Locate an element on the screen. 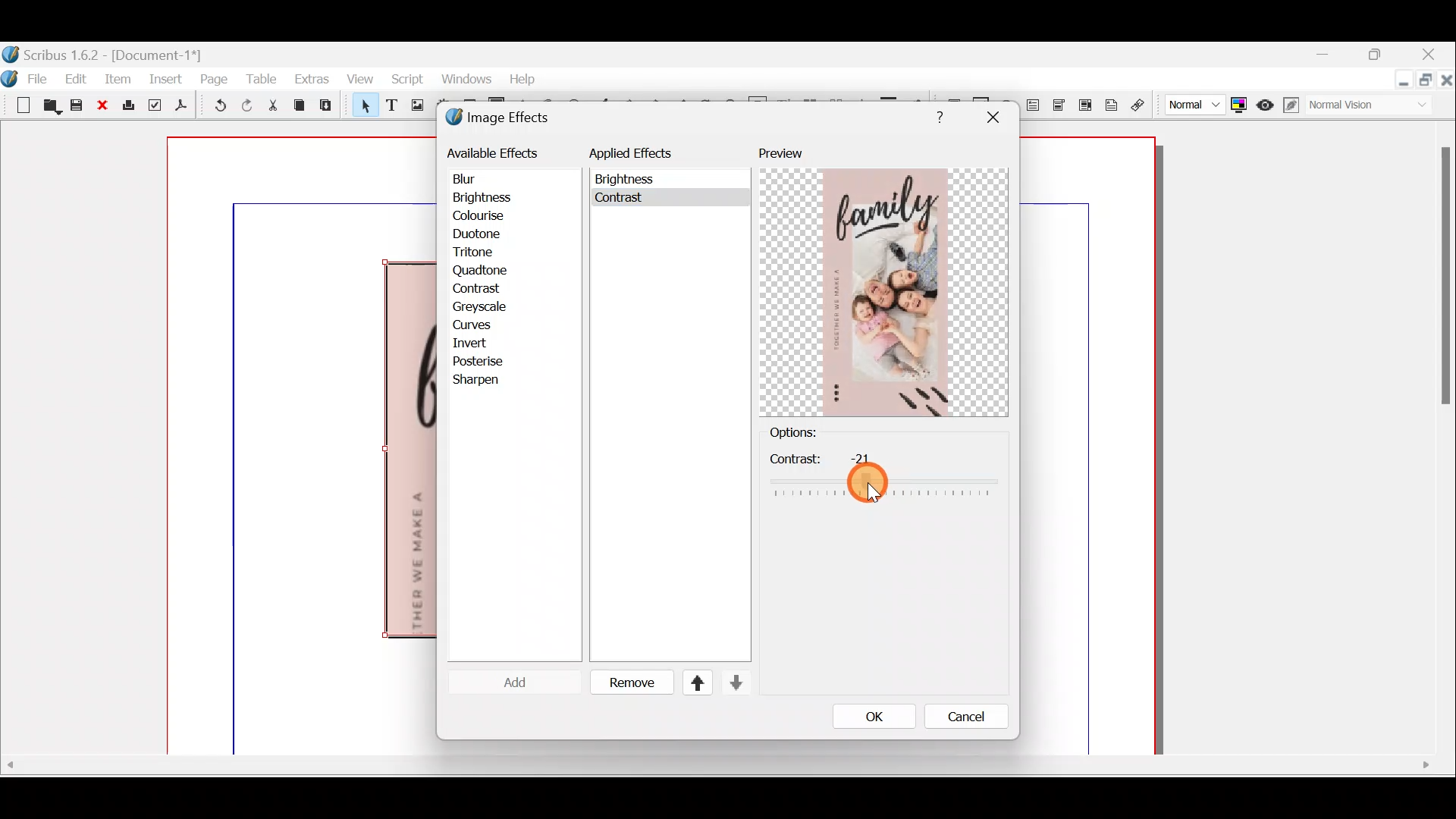 This screenshot has width=1456, height=819. Extras is located at coordinates (311, 78).